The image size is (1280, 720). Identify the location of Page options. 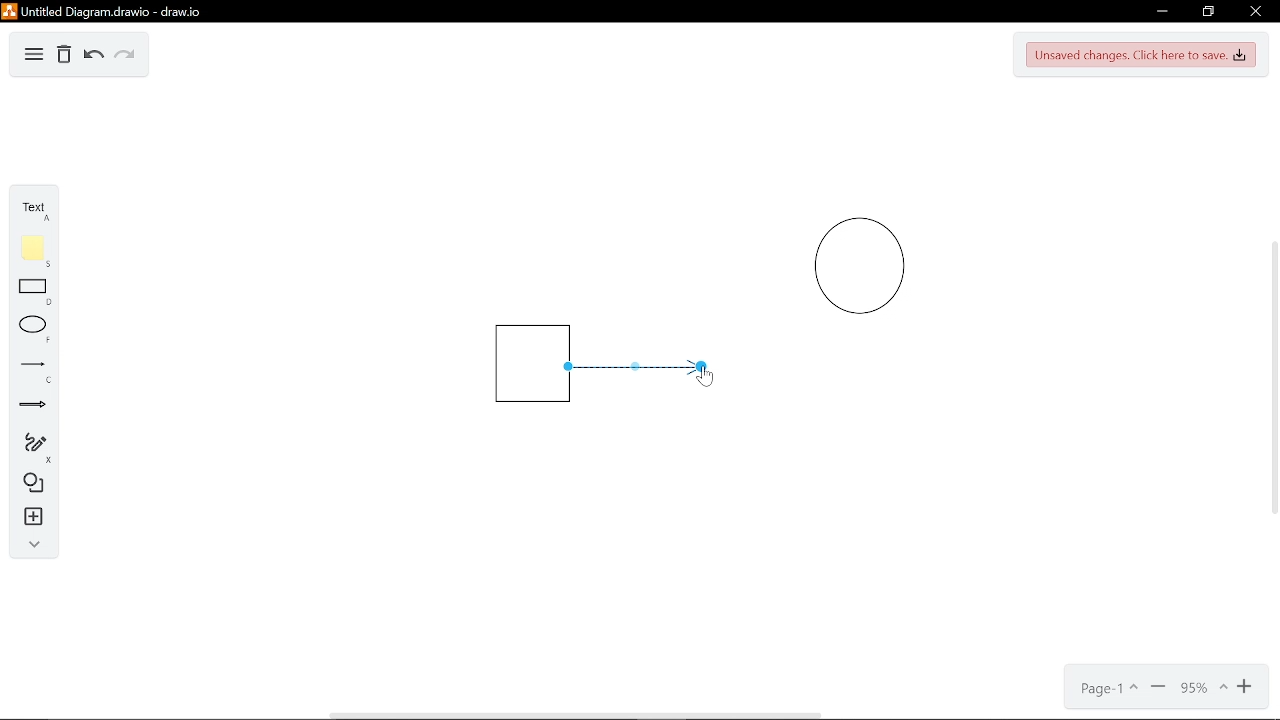
(1106, 688).